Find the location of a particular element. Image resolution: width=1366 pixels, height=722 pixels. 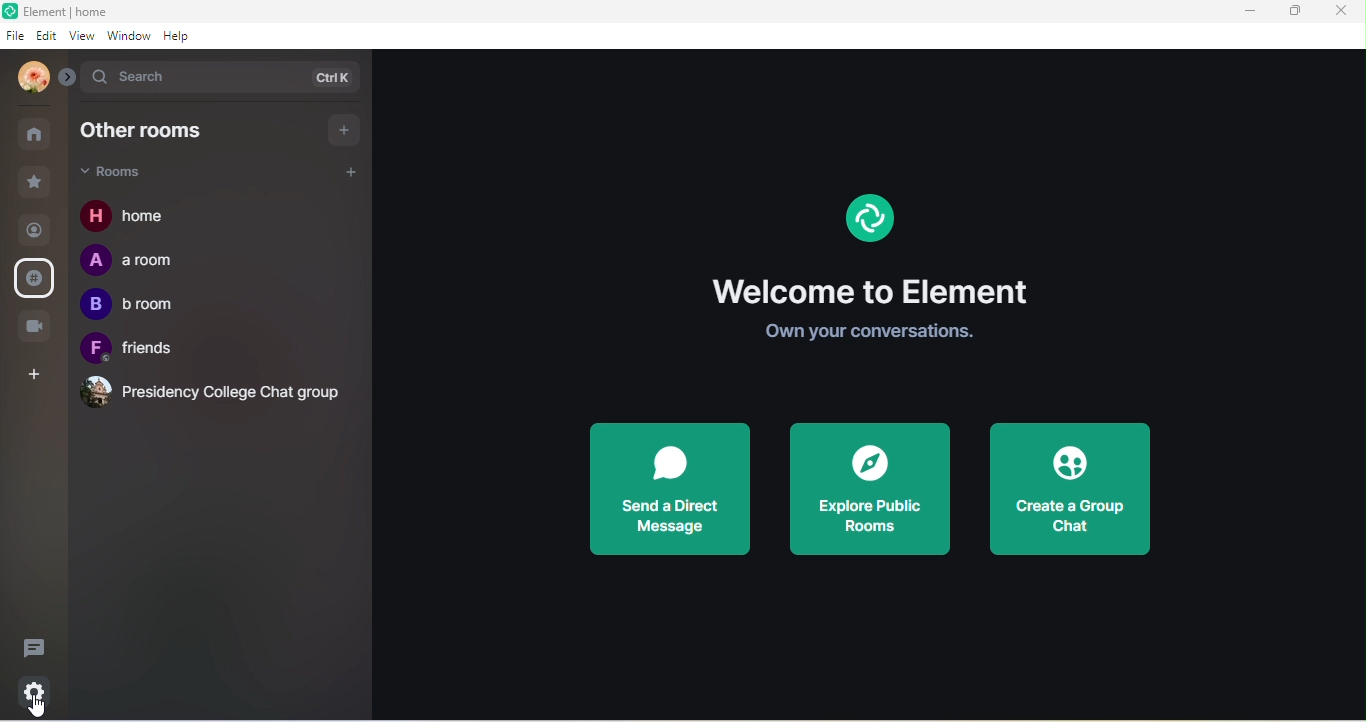

add is located at coordinates (351, 170).